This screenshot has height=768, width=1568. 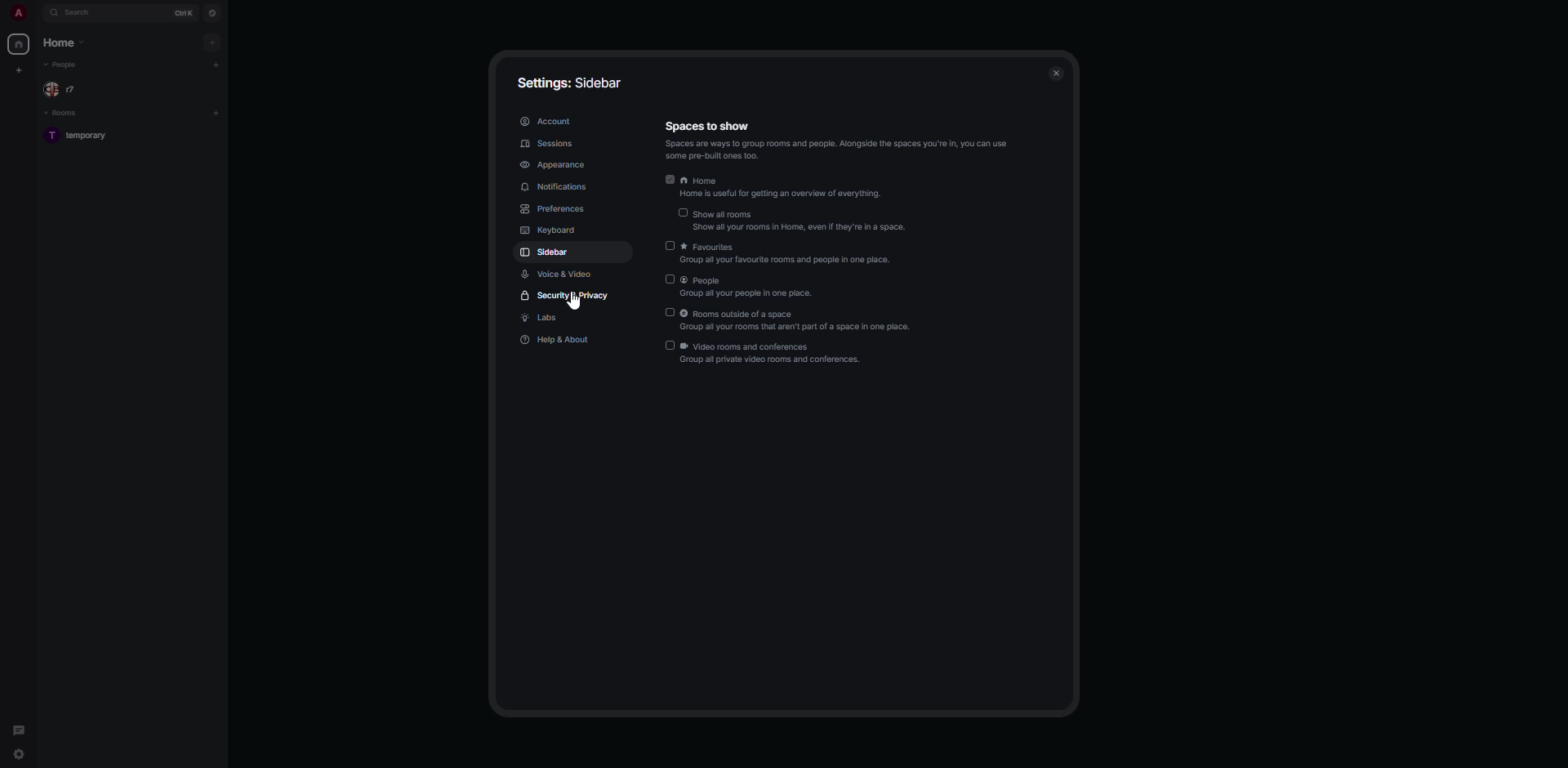 What do you see at coordinates (216, 64) in the screenshot?
I see `add` at bounding box center [216, 64].